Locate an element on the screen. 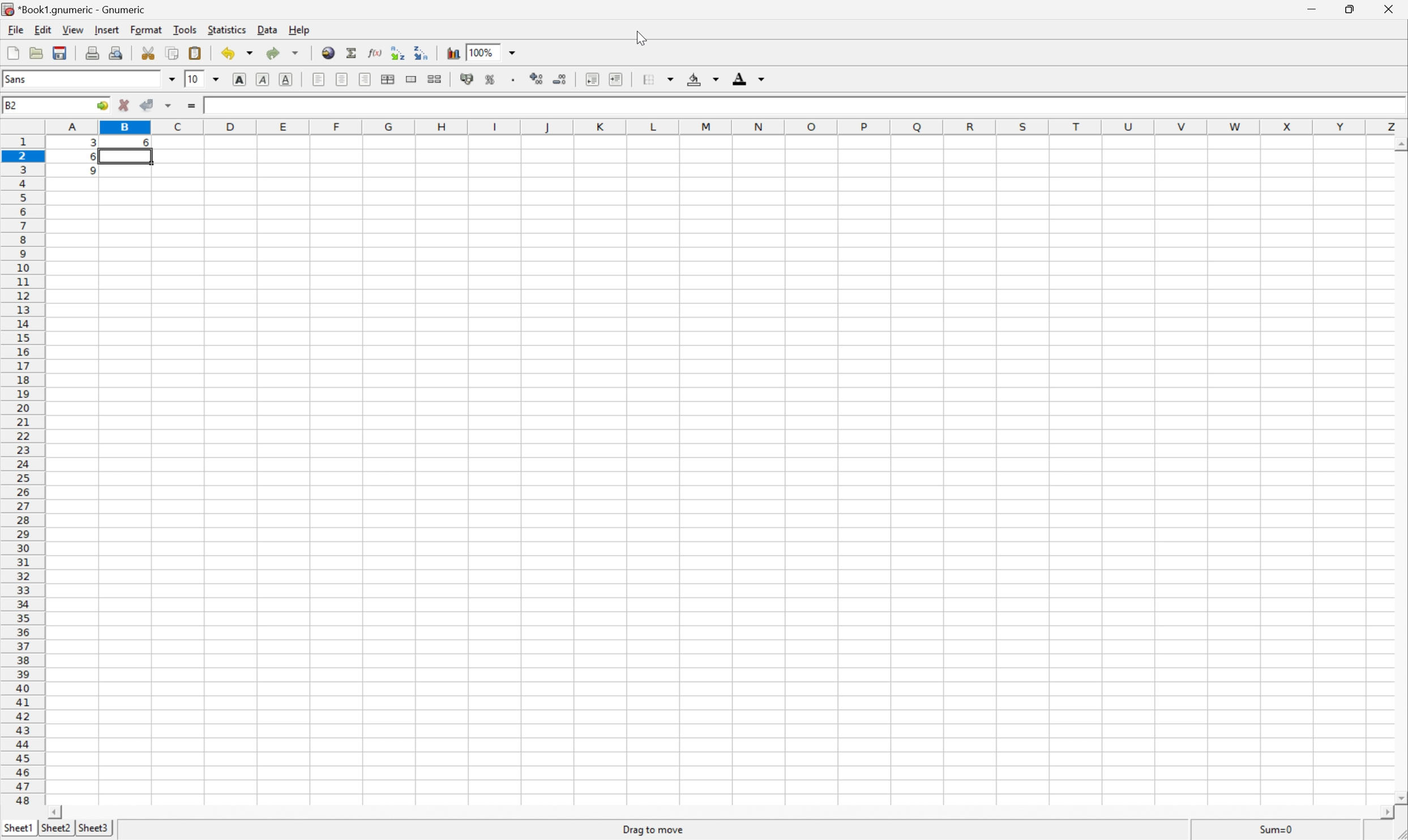 The image size is (1408, 840). Data is located at coordinates (268, 29).